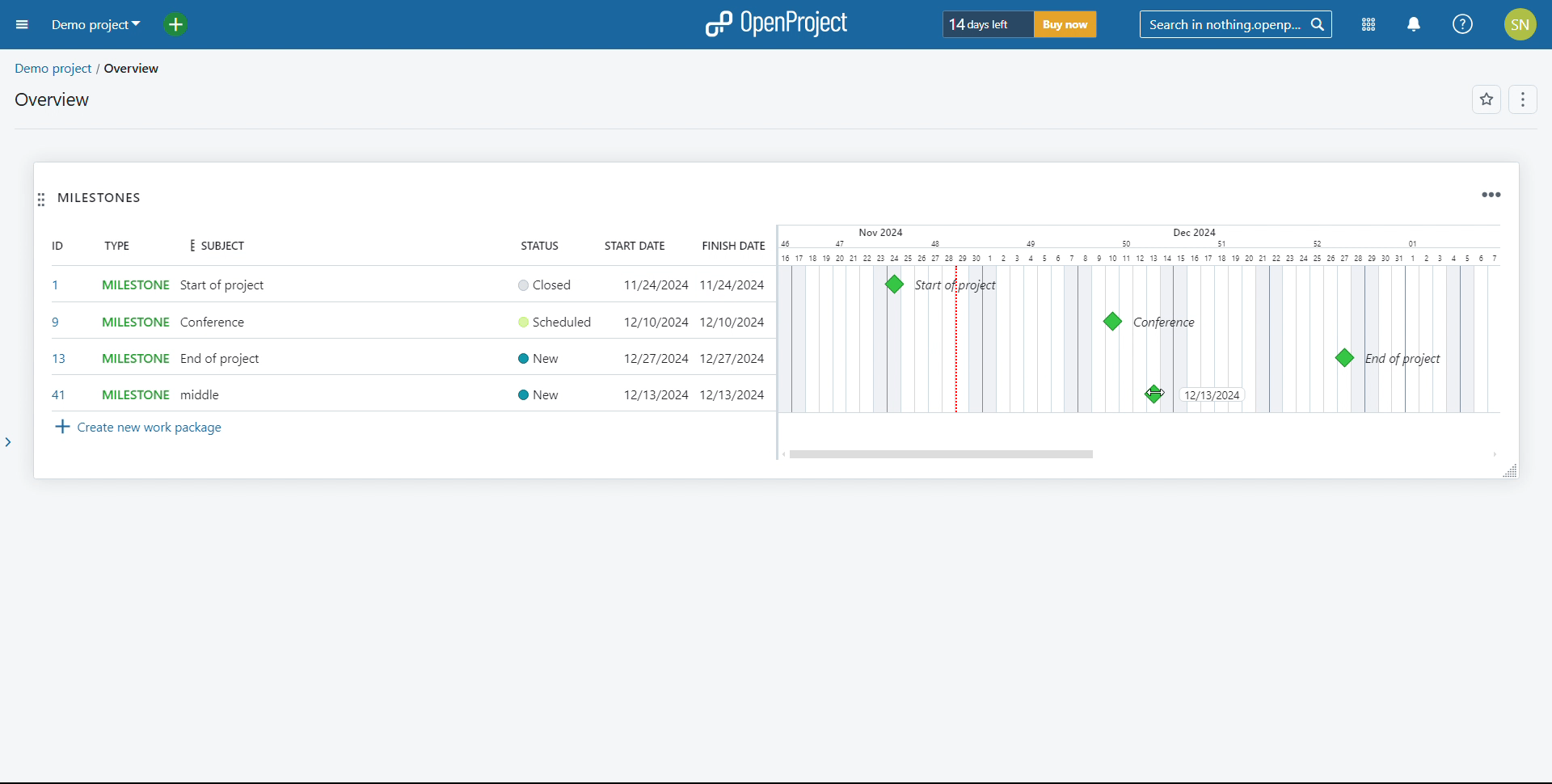  What do you see at coordinates (1112, 322) in the screenshot?
I see `milestone 9` at bounding box center [1112, 322].